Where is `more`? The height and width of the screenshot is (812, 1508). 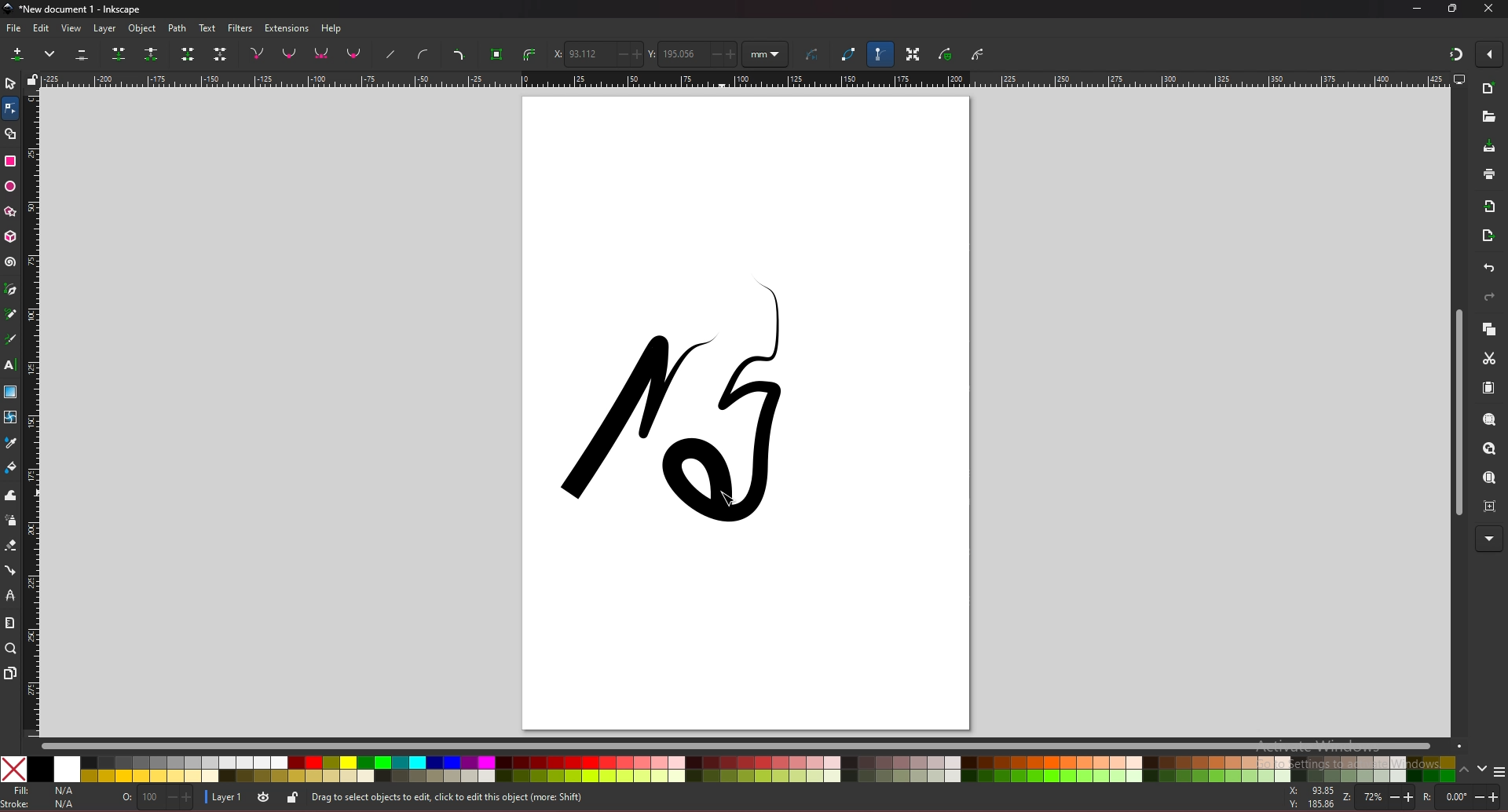 more is located at coordinates (51, 53).